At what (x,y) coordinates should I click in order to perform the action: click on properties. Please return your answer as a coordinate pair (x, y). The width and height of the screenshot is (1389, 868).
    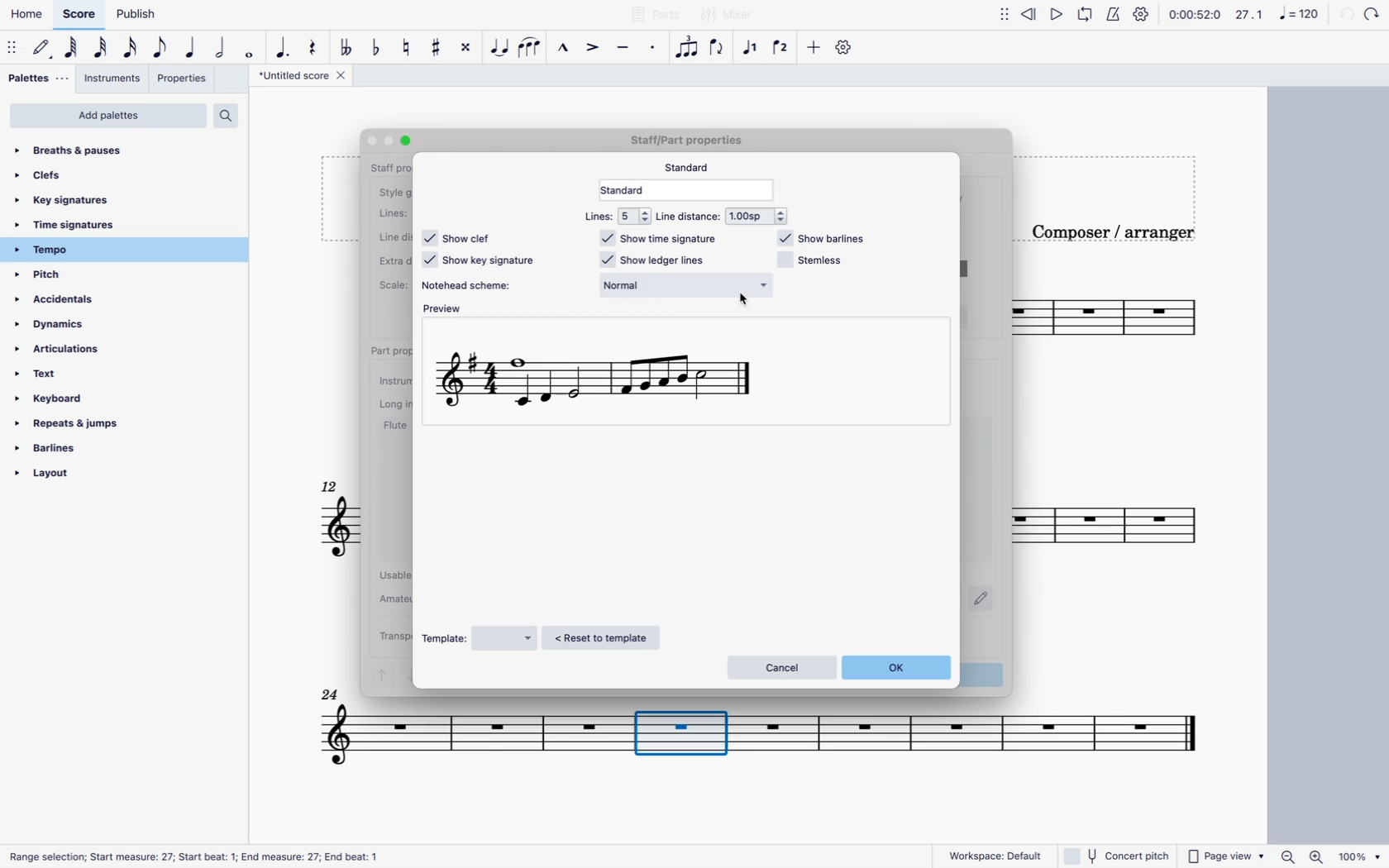
    Looking at the image, I should click on (187, 81).